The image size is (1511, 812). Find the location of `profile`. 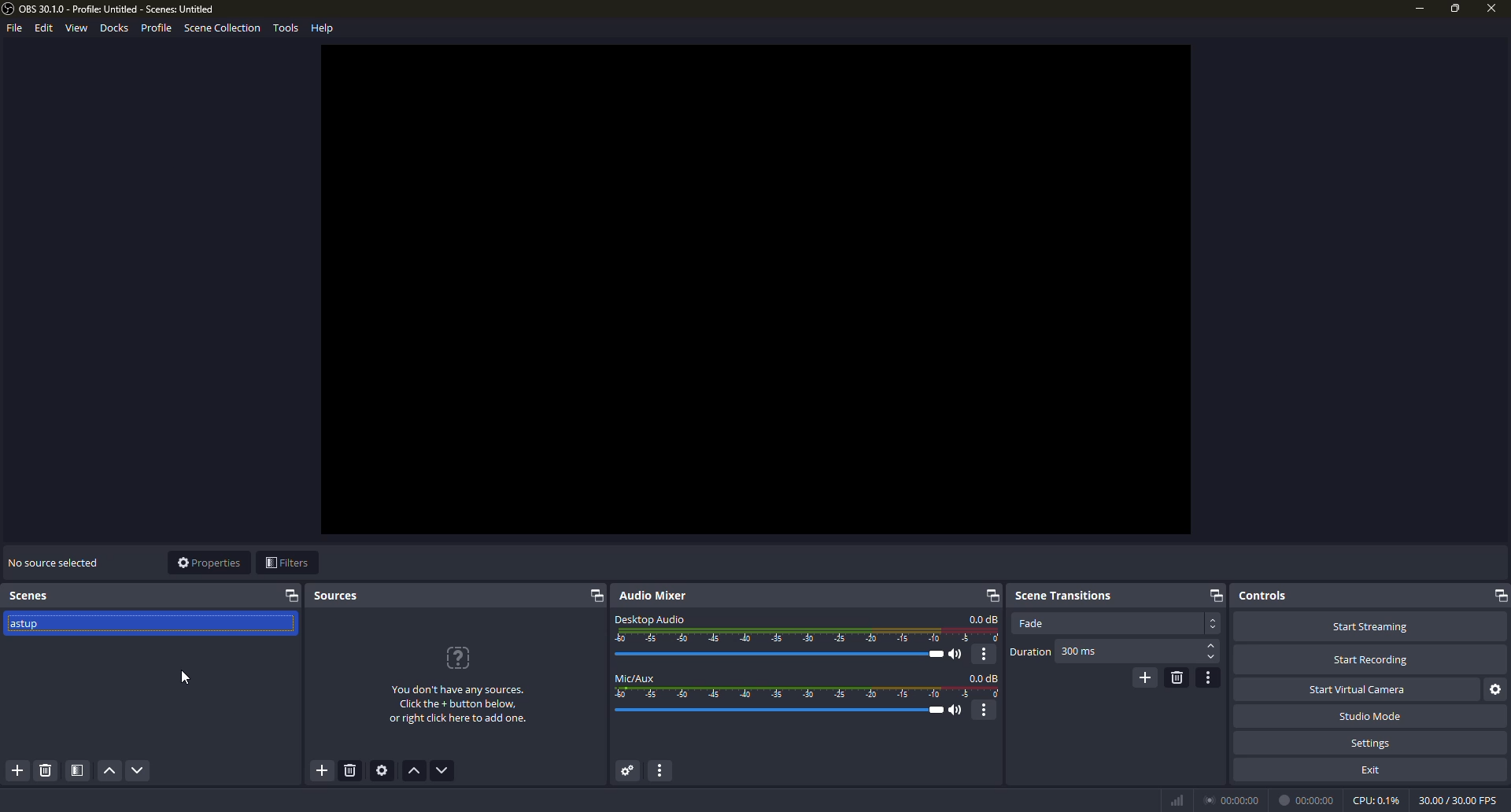

profile is located at coordinates (156, 28).